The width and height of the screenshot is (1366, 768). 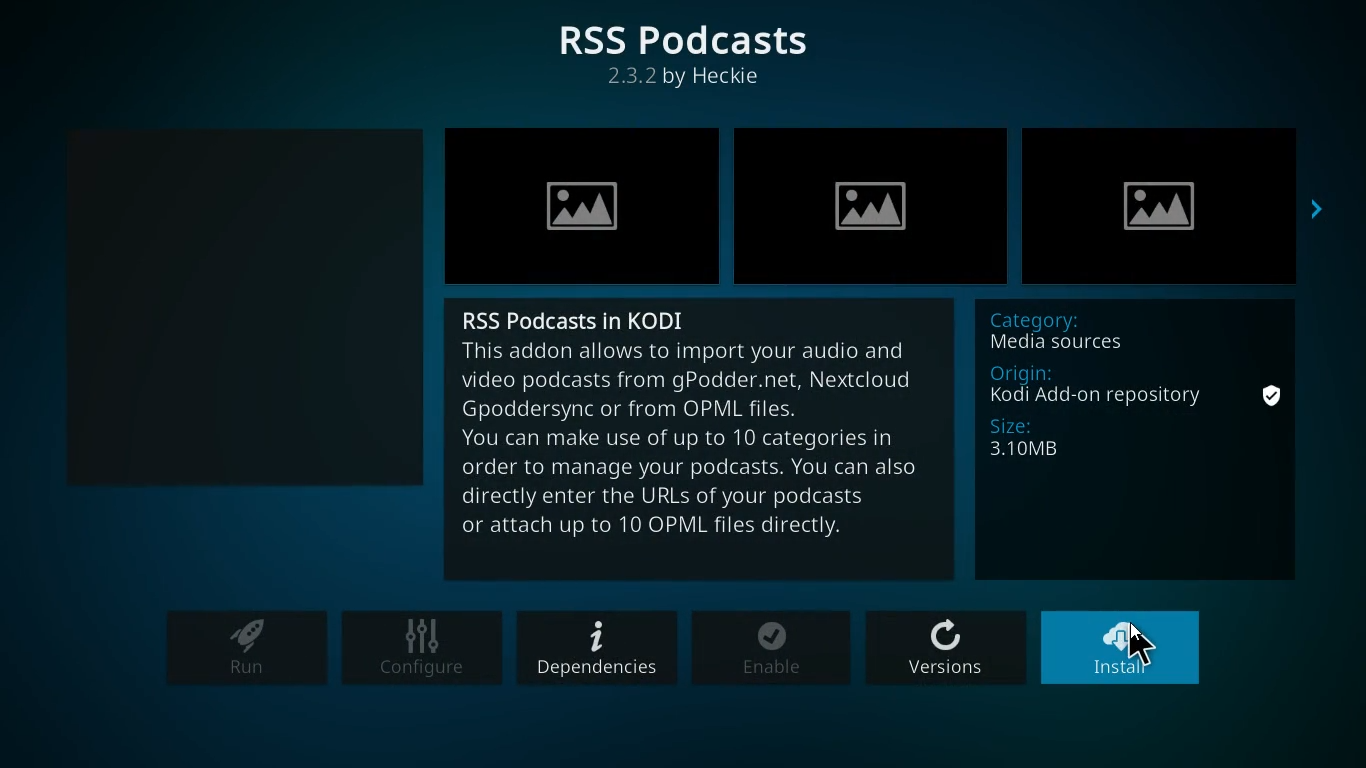 I want to click on Cursor, so click(x=1139, y=647).